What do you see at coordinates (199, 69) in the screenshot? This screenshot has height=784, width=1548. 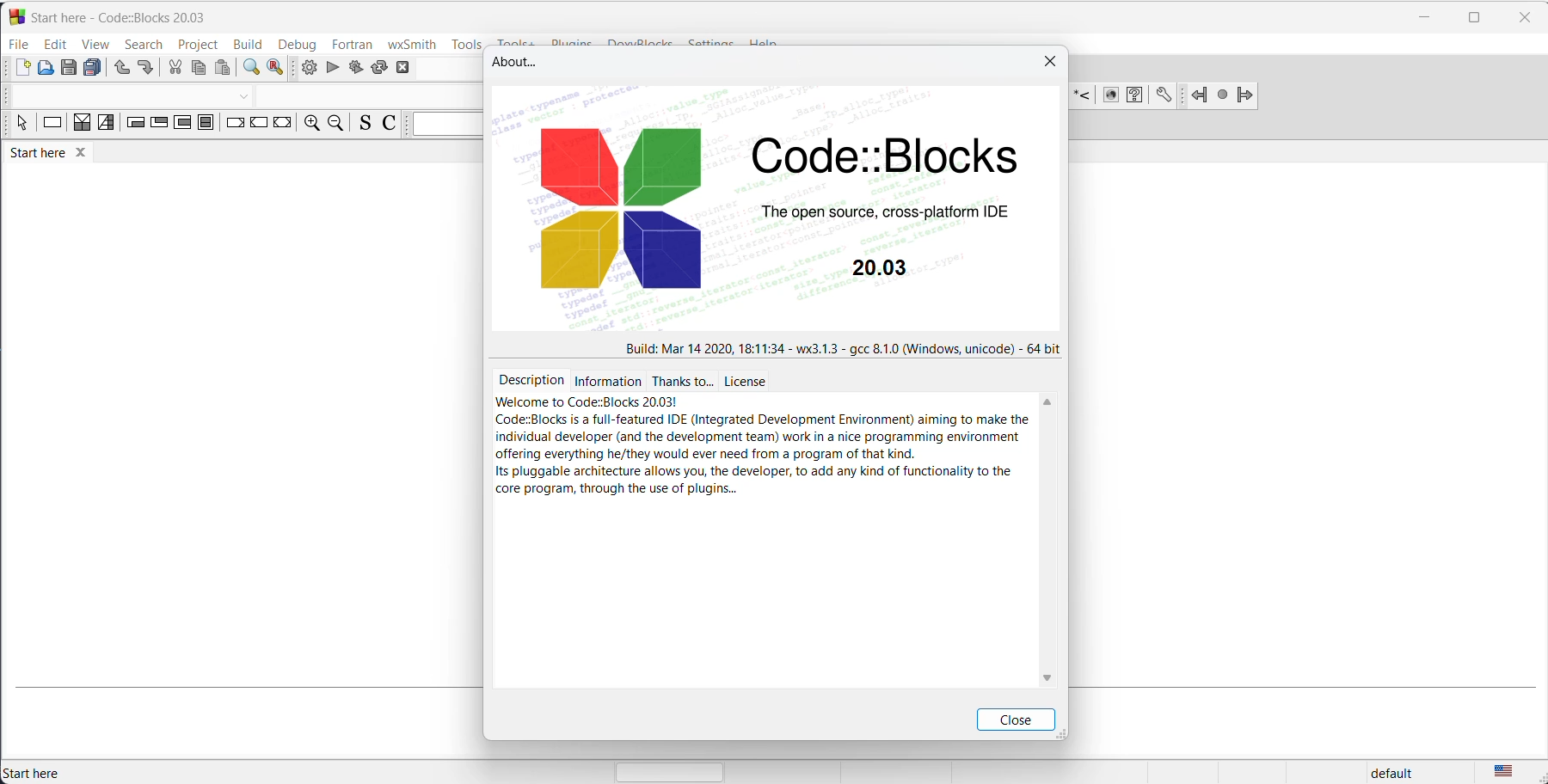 I see `copy` at bounding box center [199, 69].